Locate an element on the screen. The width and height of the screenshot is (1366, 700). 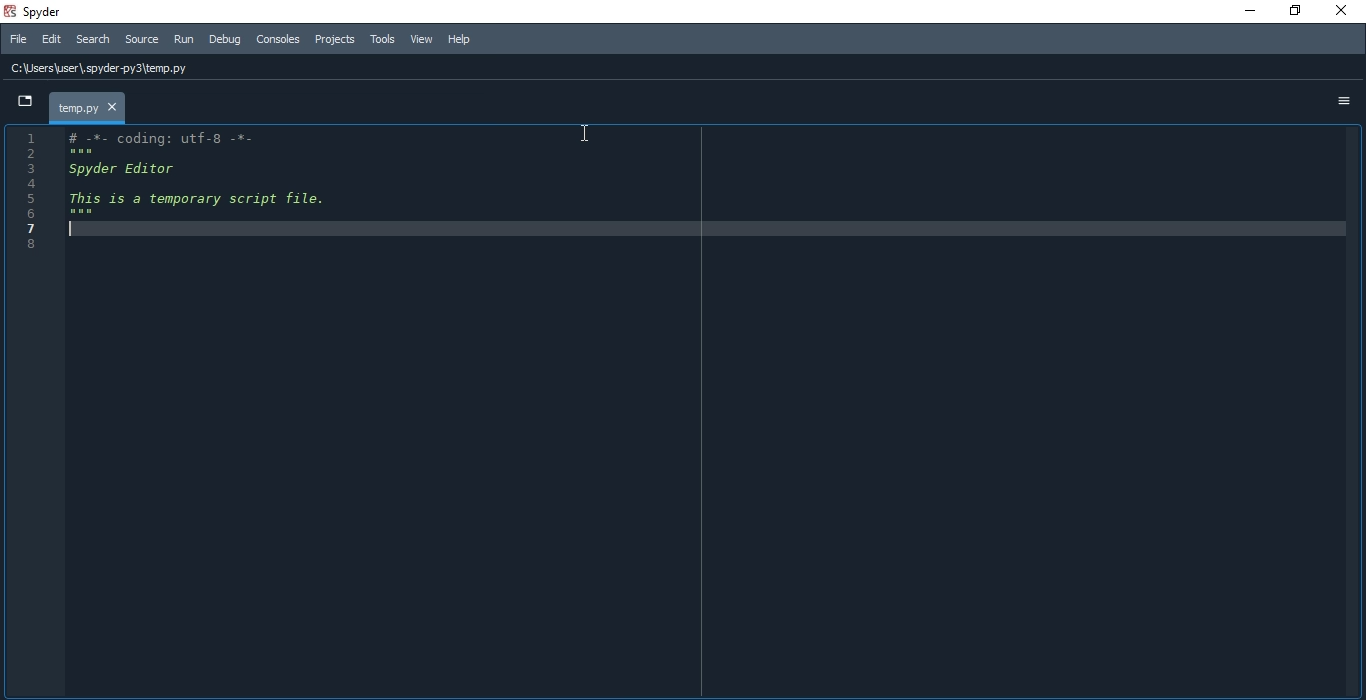
7 is located at coordinates (37, 227).